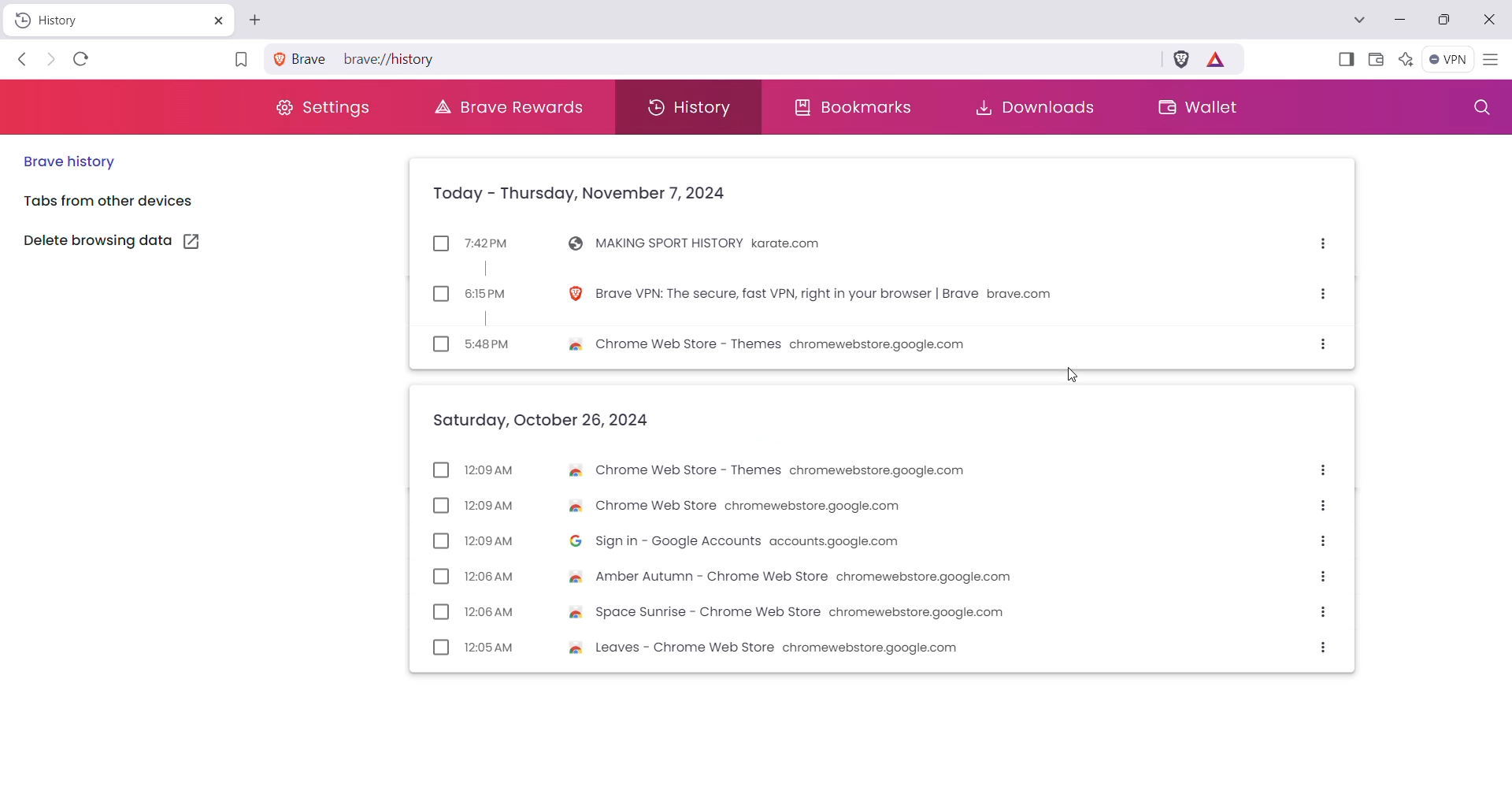 The height and width of the screenshot is (802, 1512). Describe the element at coordinates (1491, 21) in the screenshot. I see `Close` at that location.